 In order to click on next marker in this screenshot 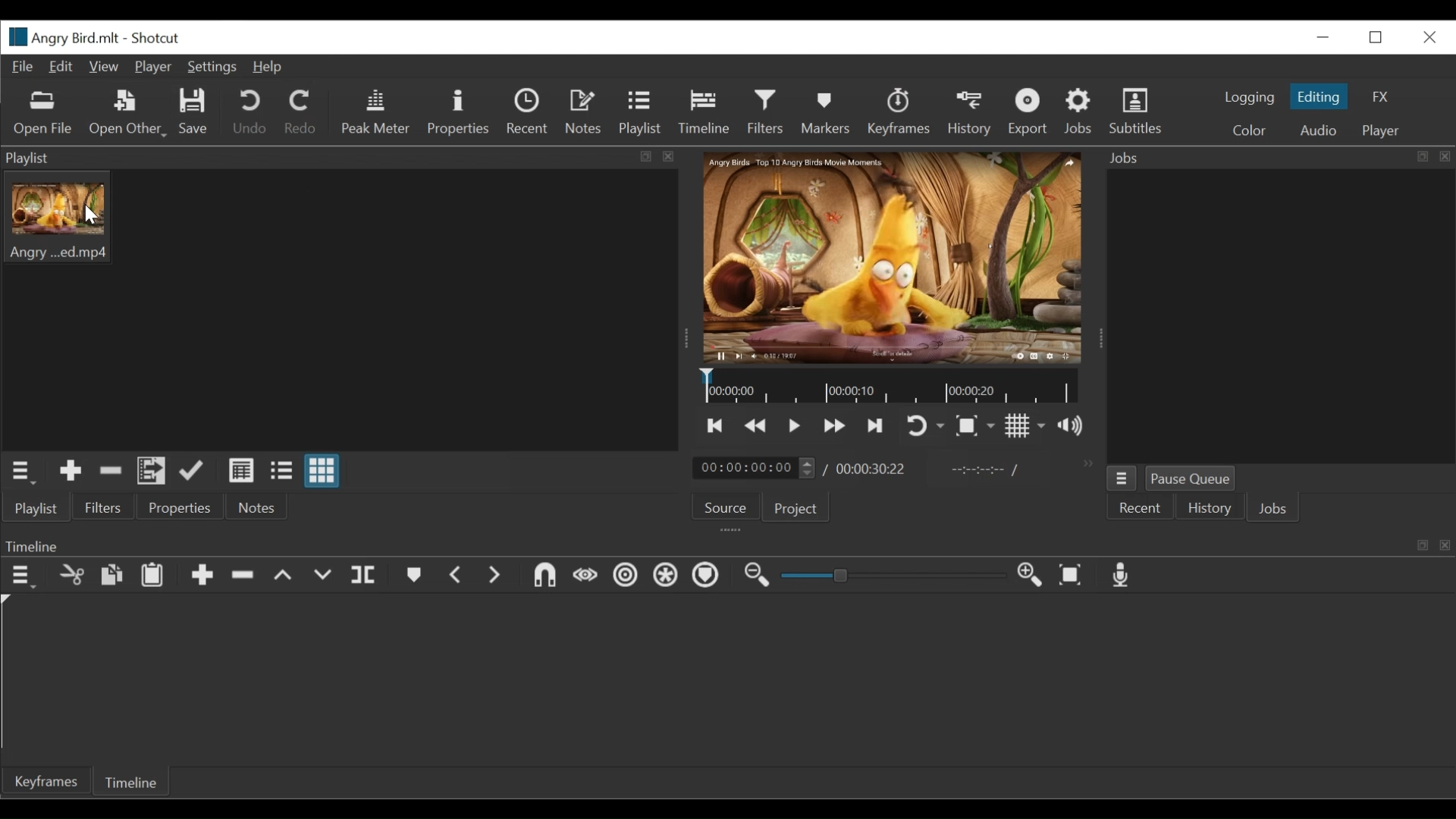, I will do `click(494, 575)`.